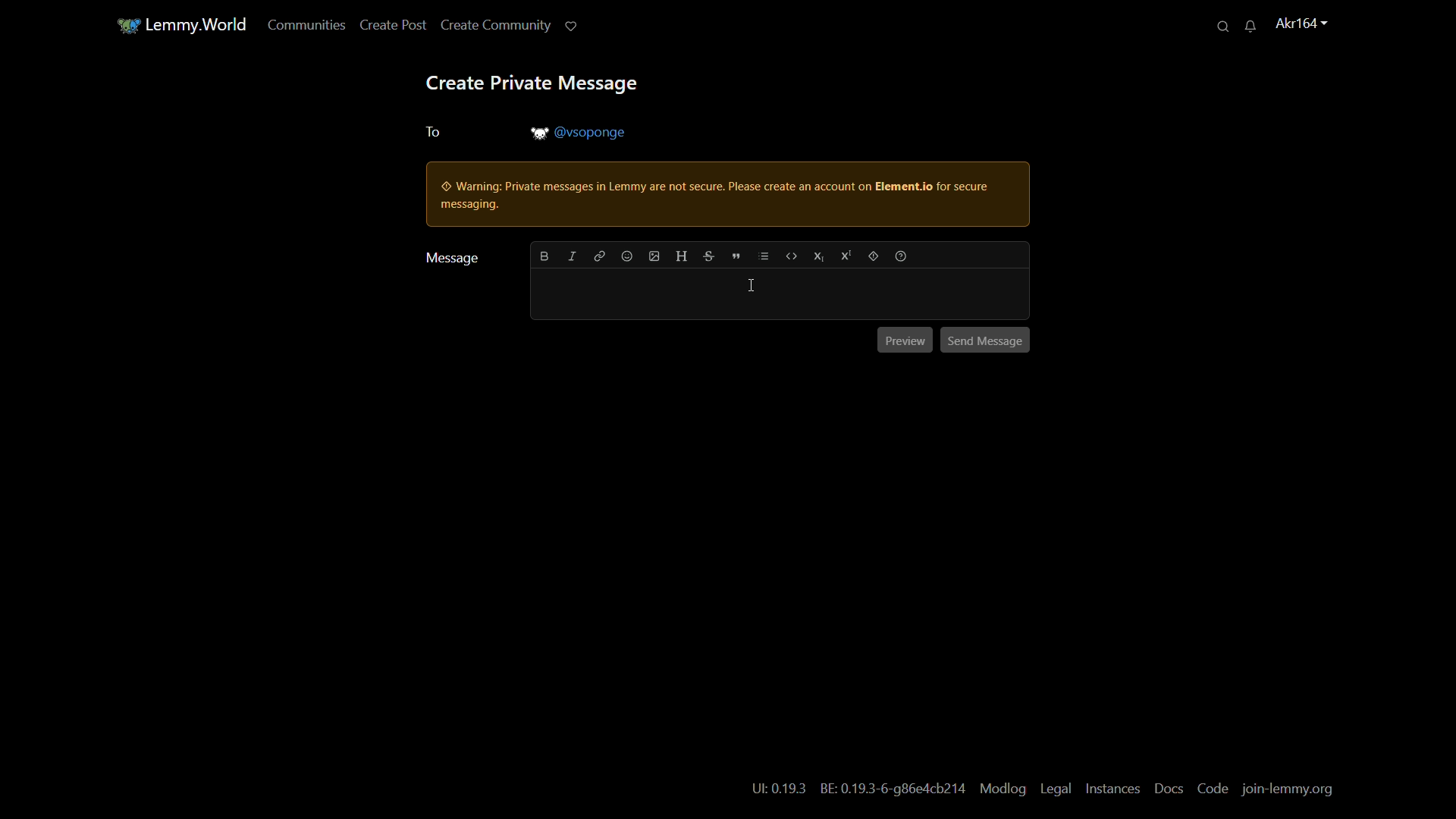  Describe the element at coordinates (385, 27) in the screenshot. I see `create post` at that location.